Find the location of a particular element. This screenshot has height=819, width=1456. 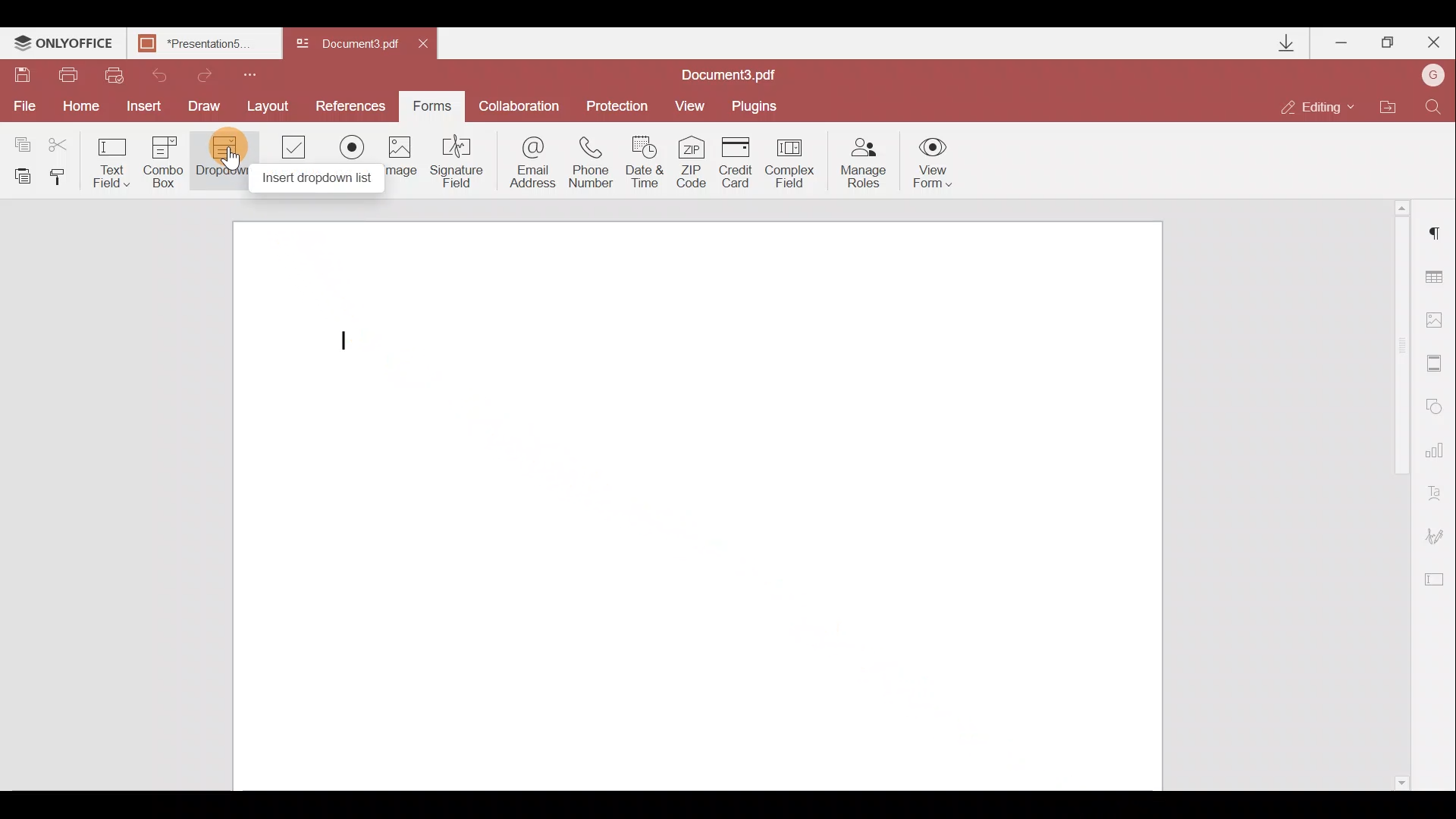

Redo is located at coordinates (197, 73).